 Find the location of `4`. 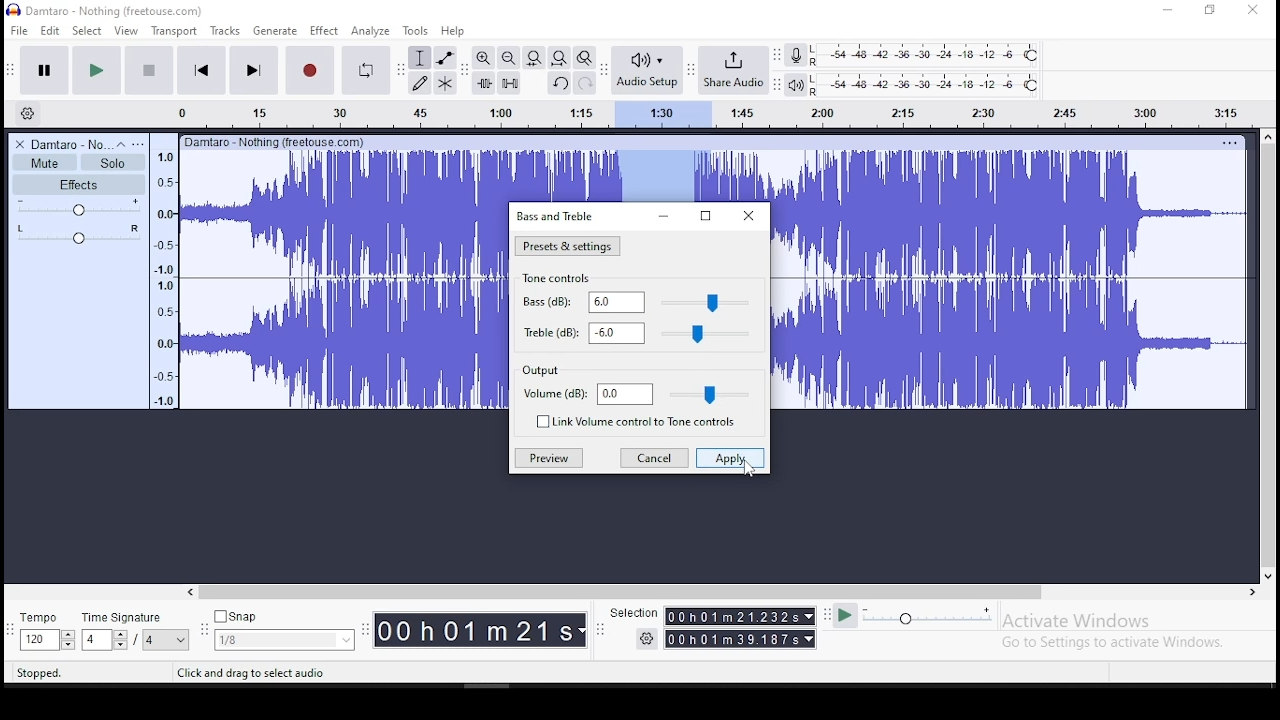

4 is located at coordinates (94, 640).